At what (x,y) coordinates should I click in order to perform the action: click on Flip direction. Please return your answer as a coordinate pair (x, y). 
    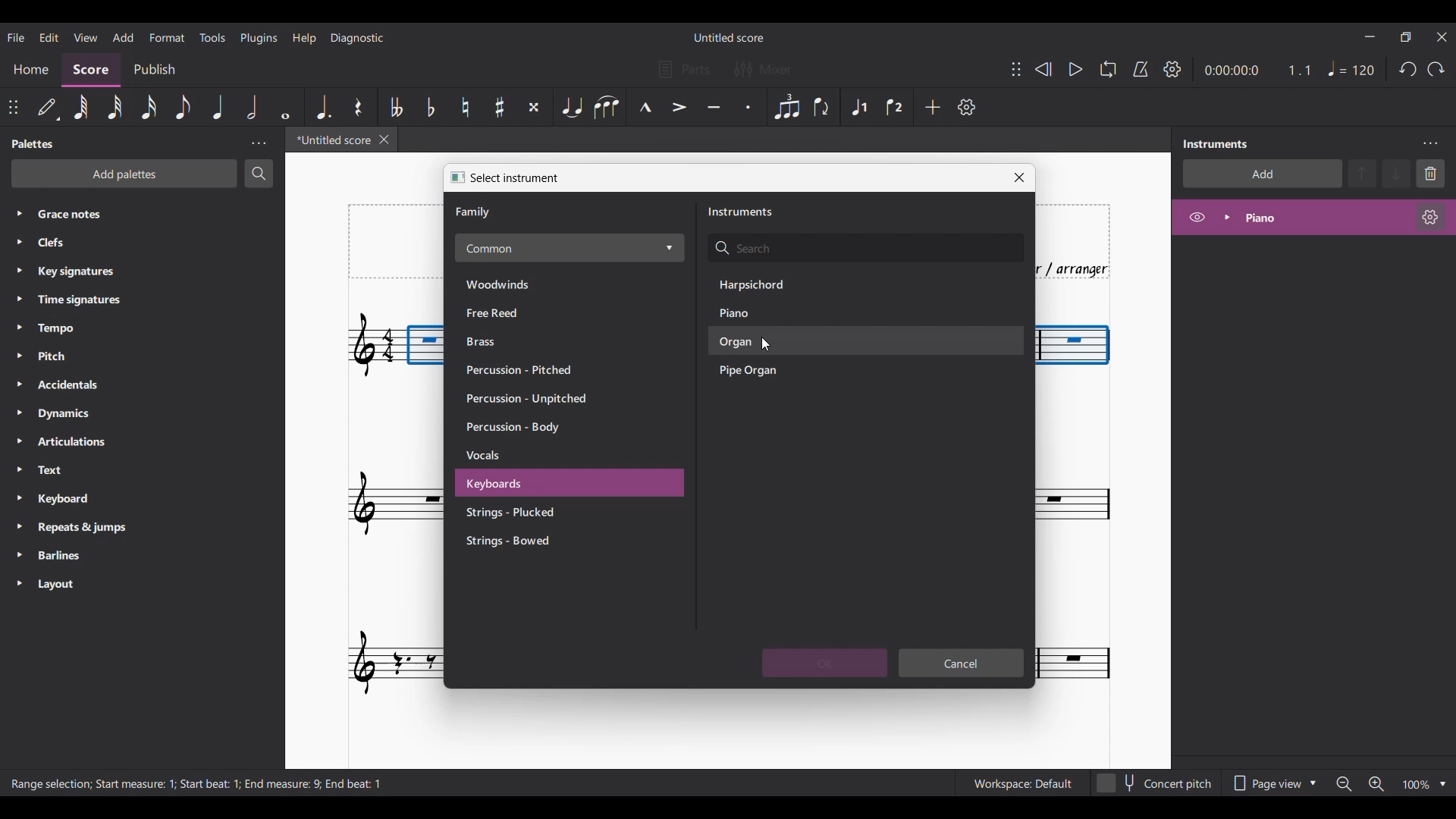
    Looking at the image, I should click on (821, 107).